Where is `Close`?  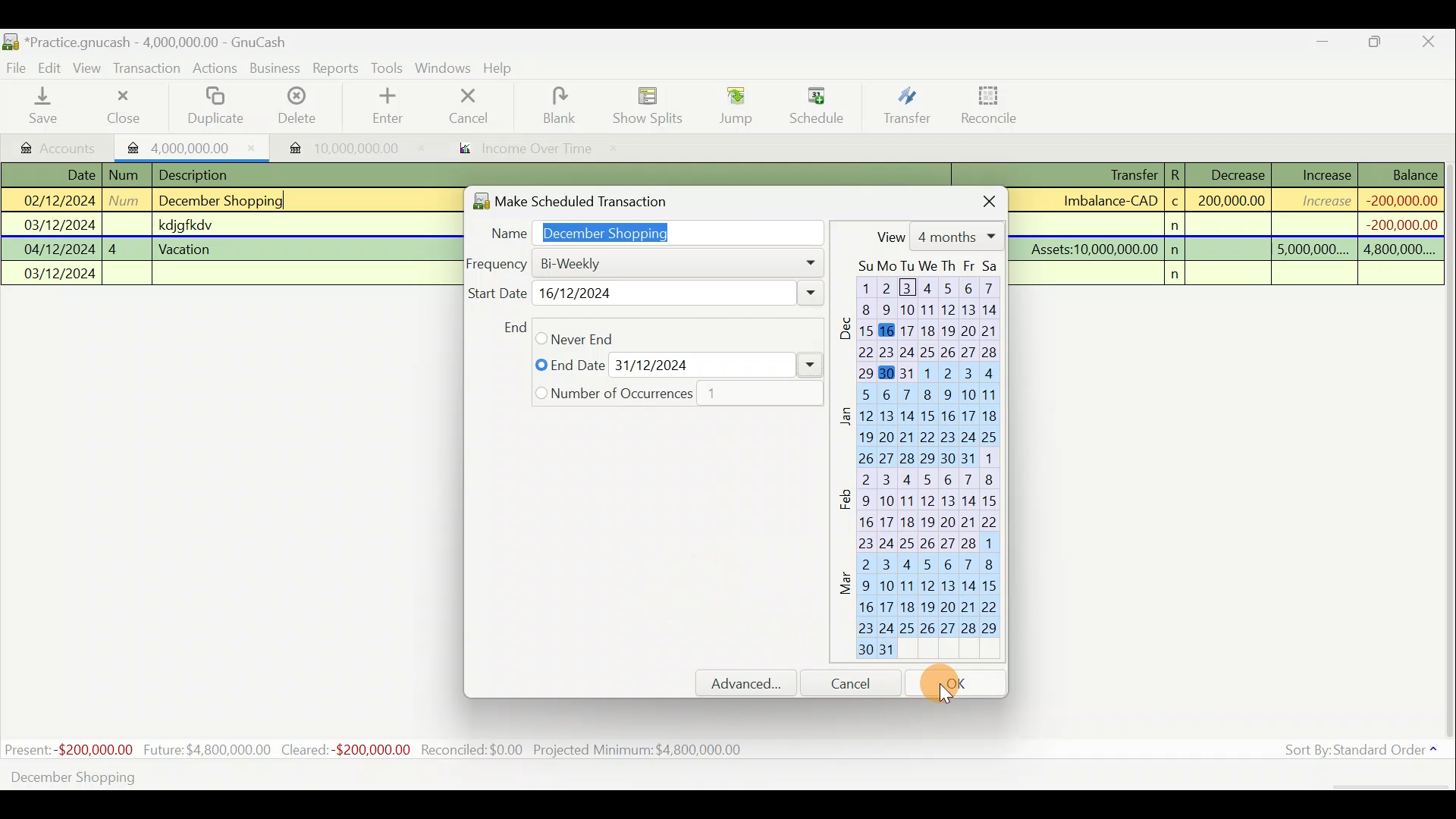 Close is located at coordinates (122, 106).